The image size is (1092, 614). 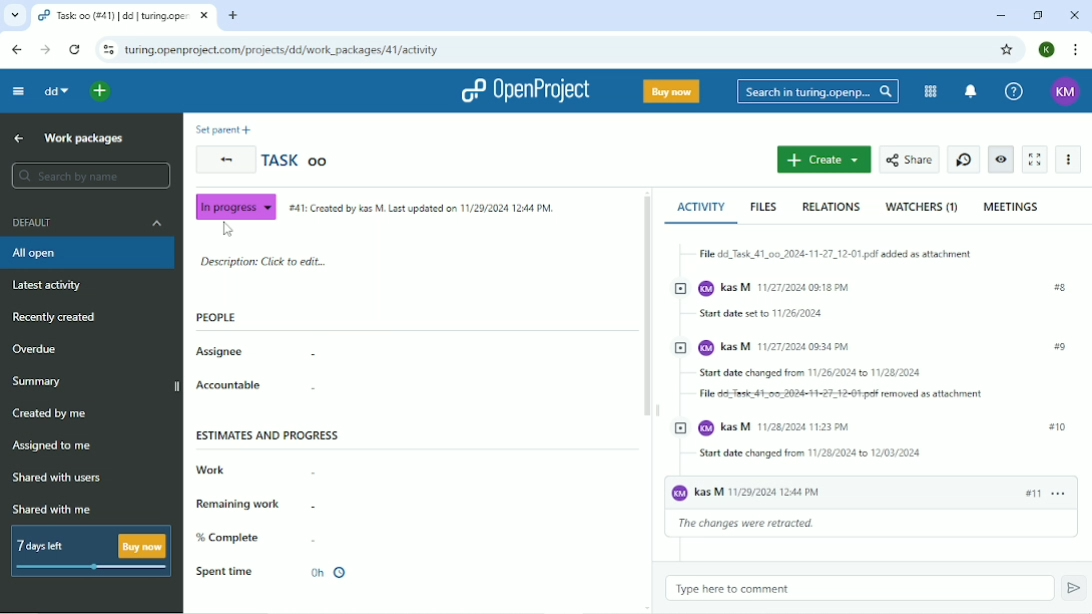 What do you see at coordinates (44, 49) in the screenshot?
I see `Forward` at bounding box center [44, 49].